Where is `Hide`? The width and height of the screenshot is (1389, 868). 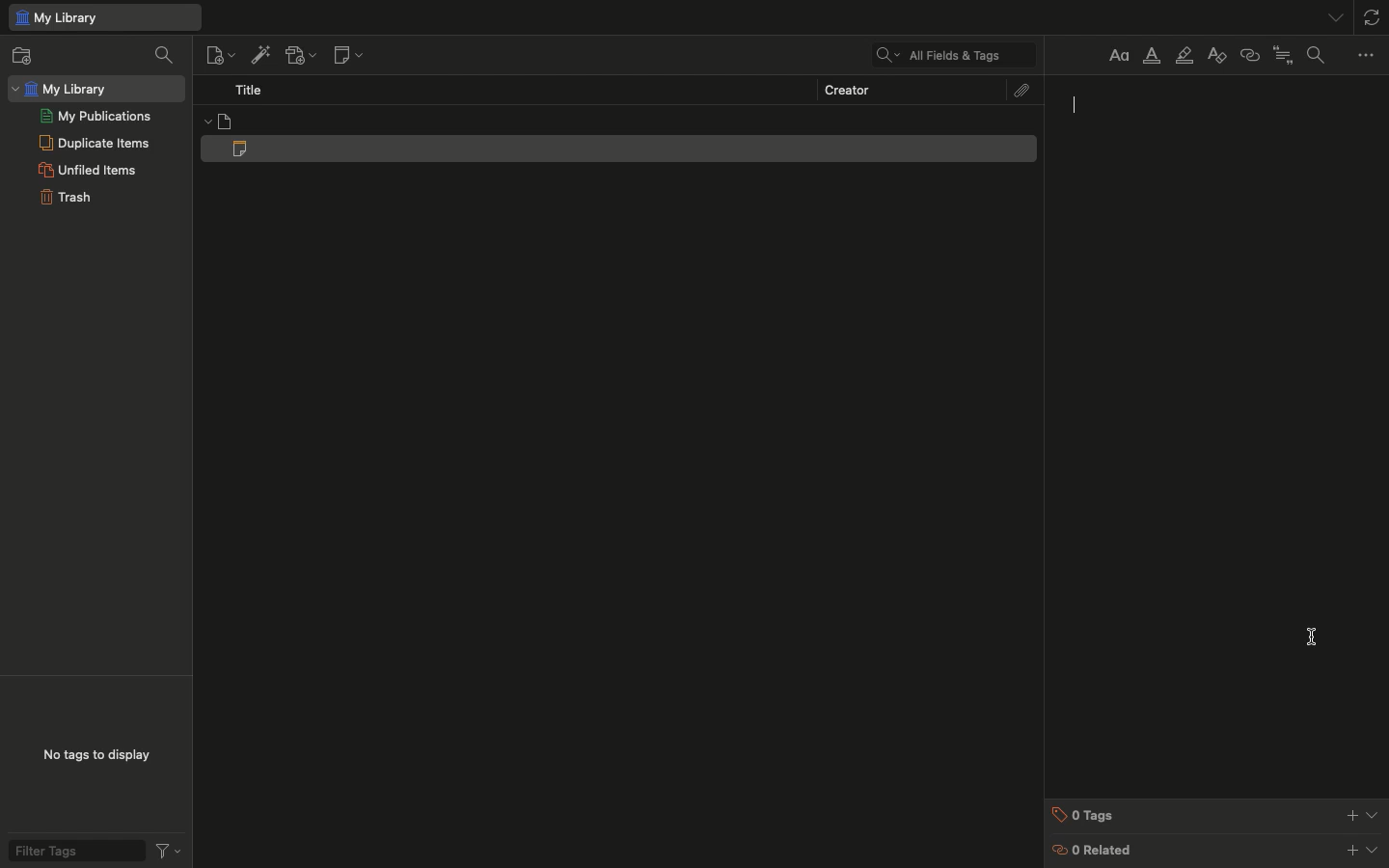
Hide is located at coordinates (1338, 16).